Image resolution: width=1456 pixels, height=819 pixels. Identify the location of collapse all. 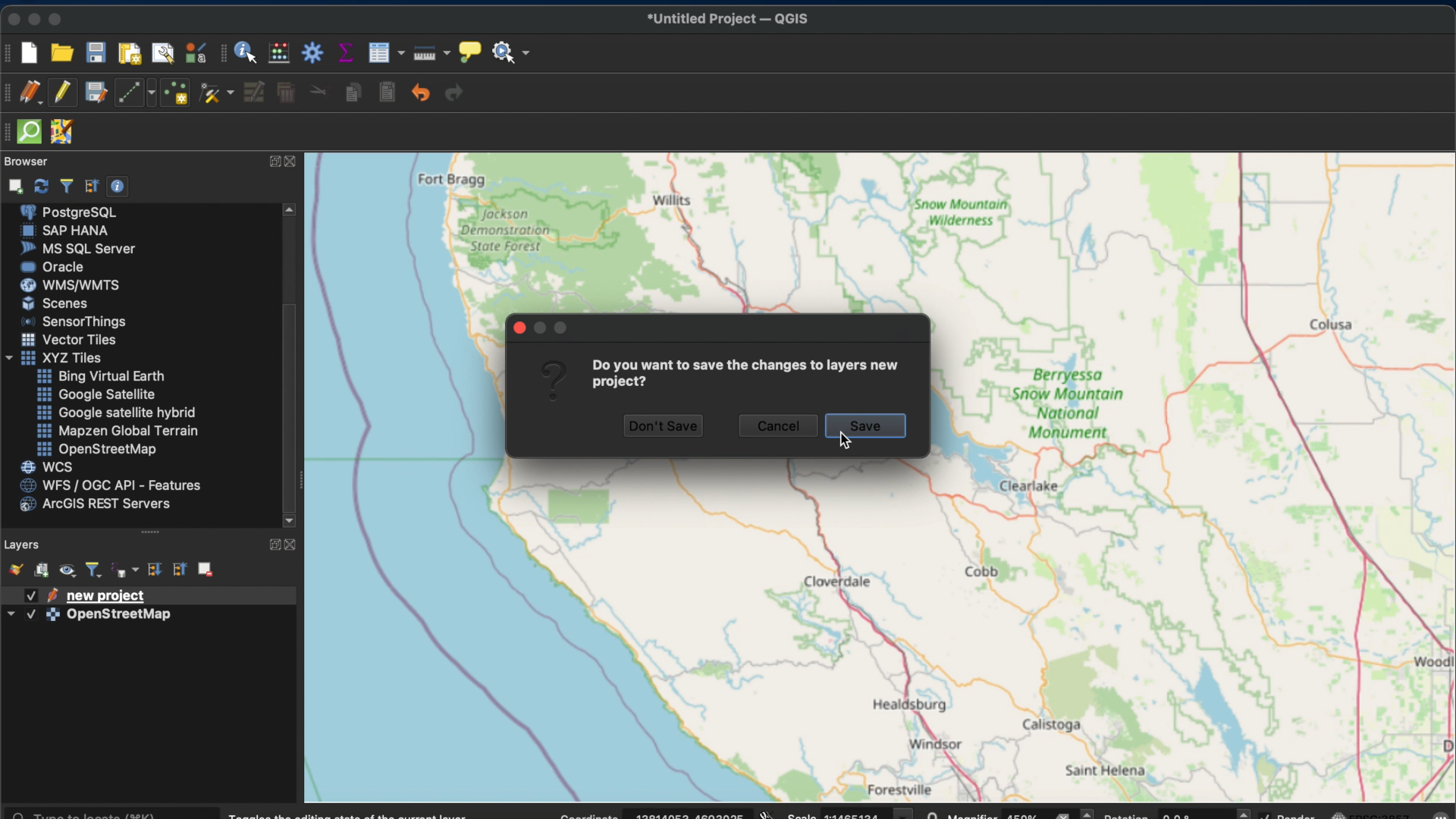
(92, 186).